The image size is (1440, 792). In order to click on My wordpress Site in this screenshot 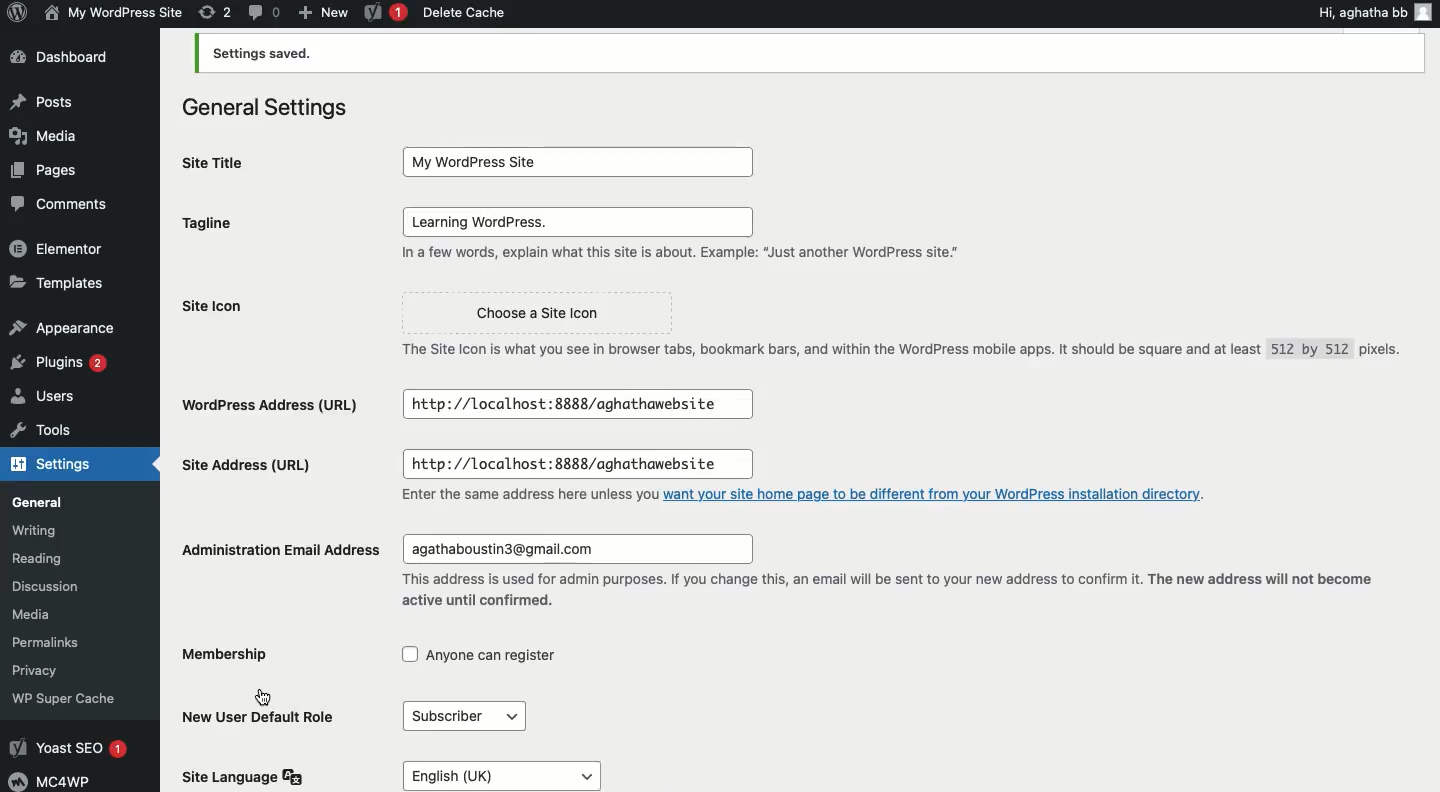, I will do `click(111, 12)`.